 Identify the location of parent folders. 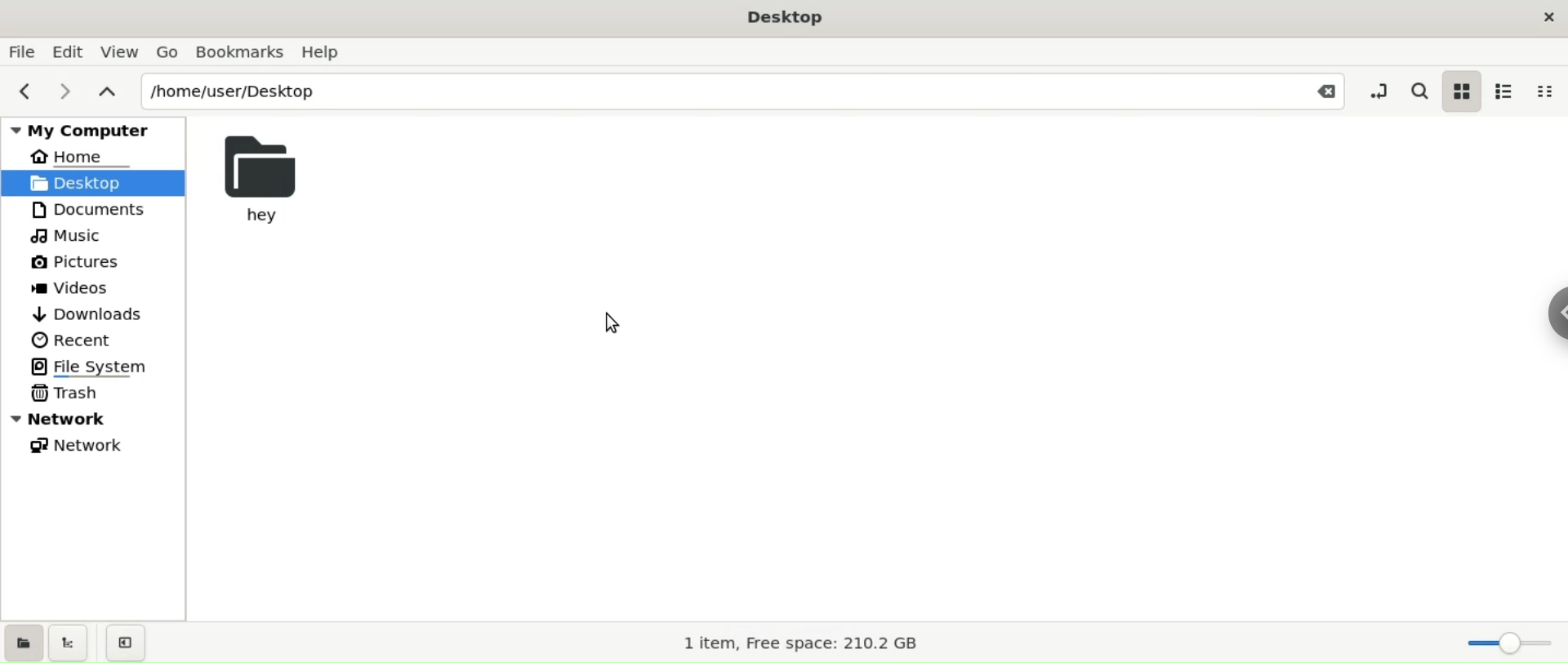
(108, 89).